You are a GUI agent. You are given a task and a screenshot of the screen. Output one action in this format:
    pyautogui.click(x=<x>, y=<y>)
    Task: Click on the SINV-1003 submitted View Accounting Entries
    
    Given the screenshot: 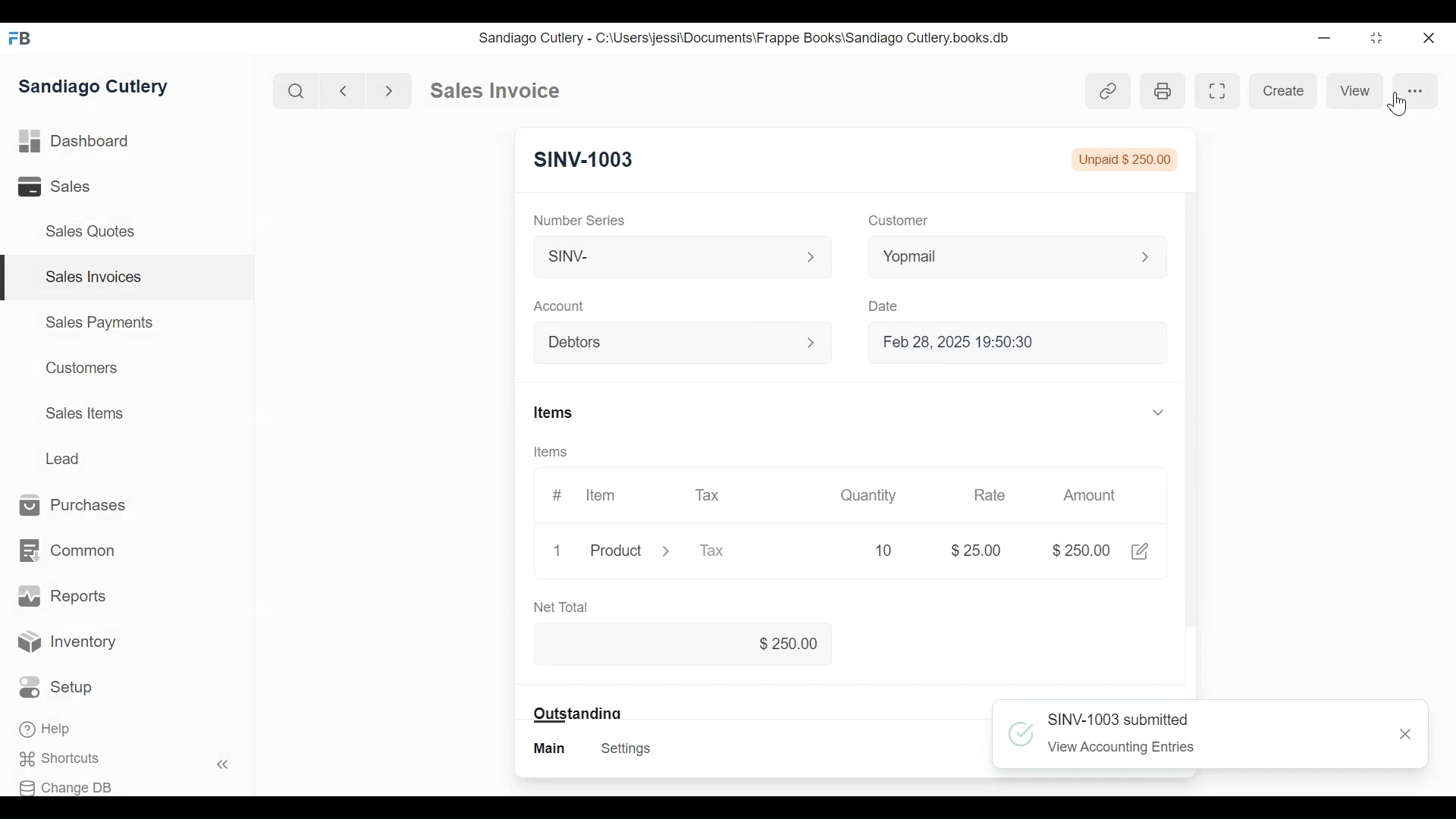 What is the action you would take?
    pyautogui.click(x=1215, y=736)
    